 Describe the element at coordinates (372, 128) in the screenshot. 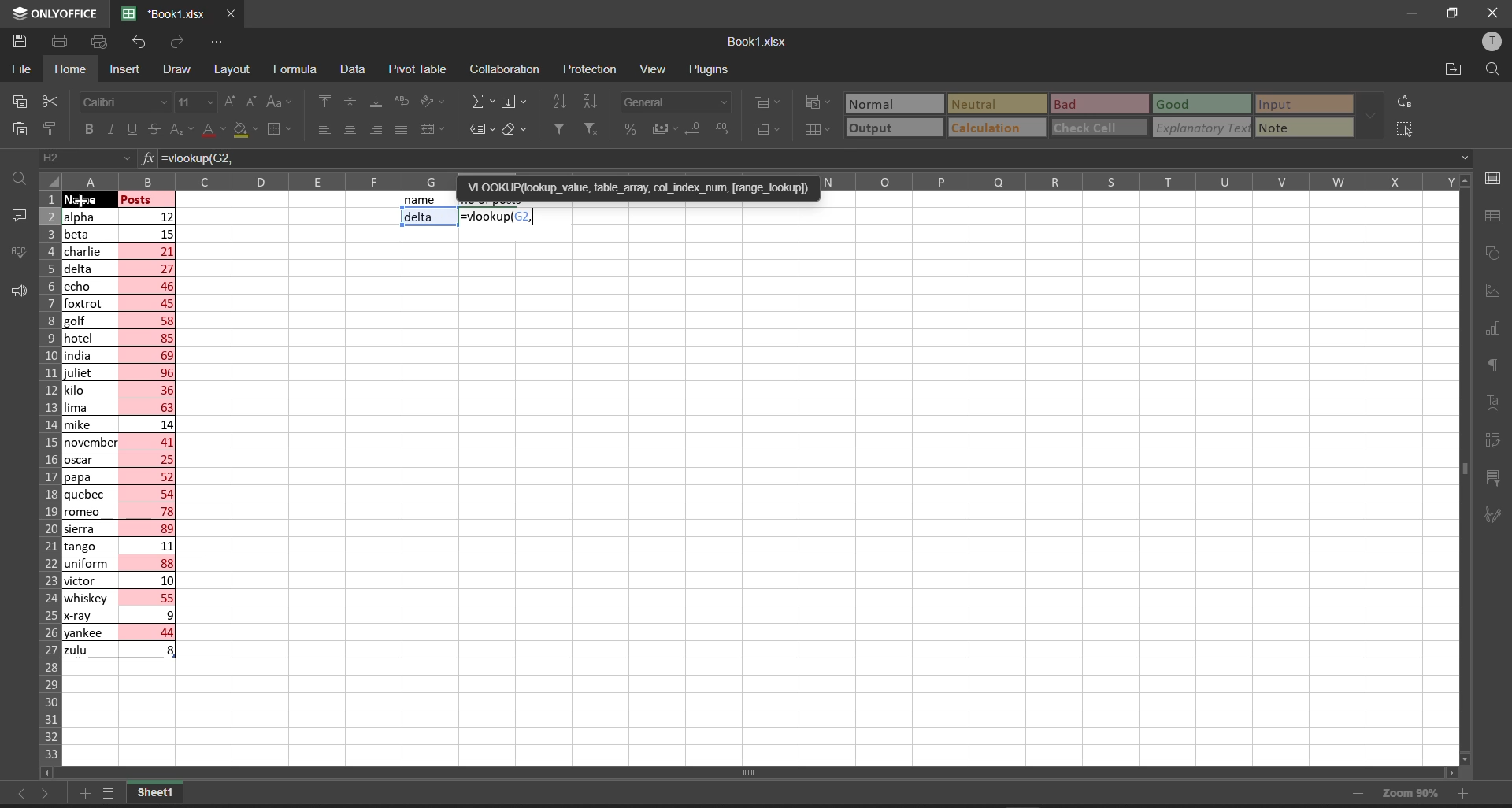

I see `align right` at that location.